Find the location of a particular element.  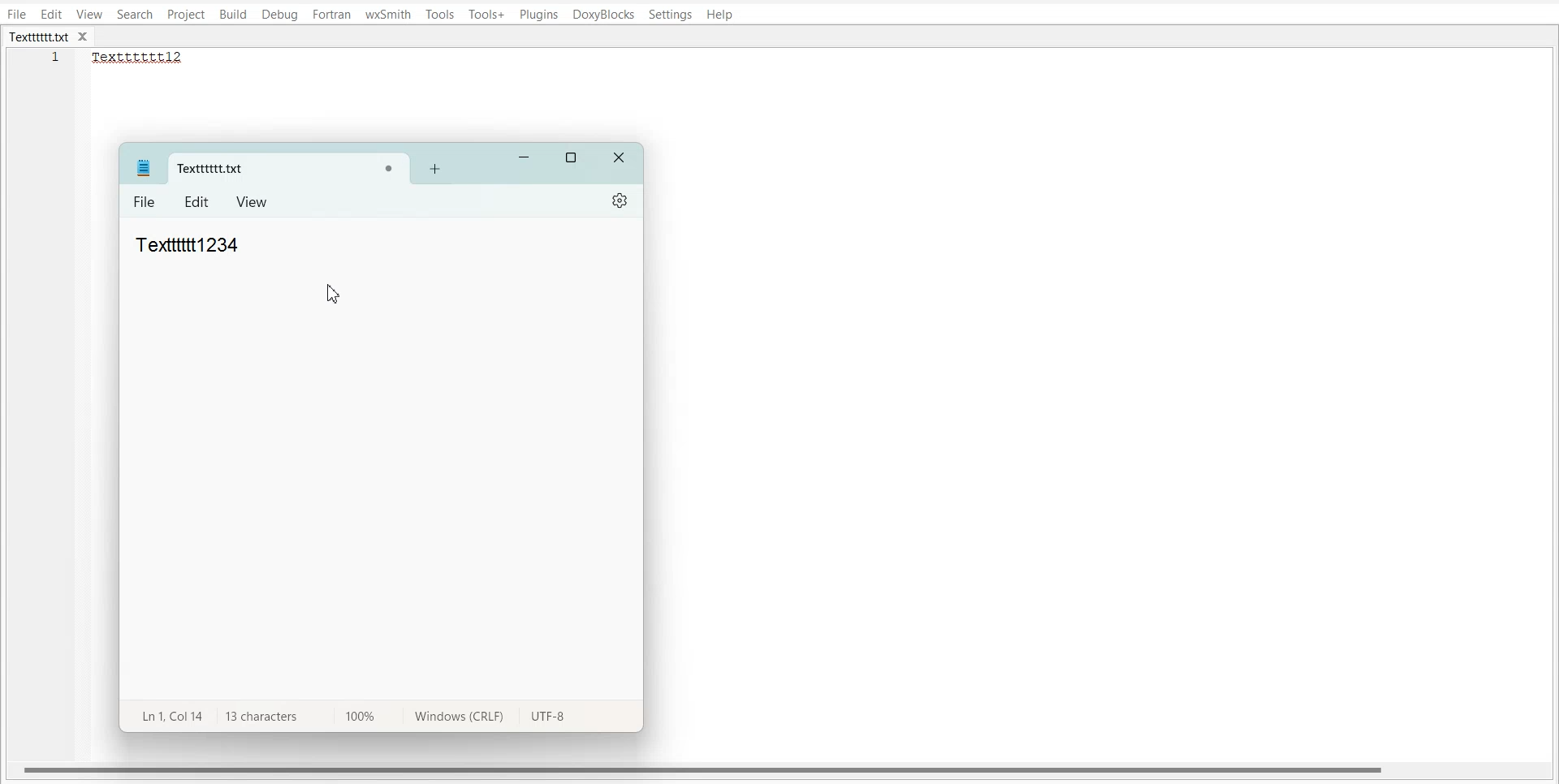

Cursor is located at coordinates (335, 294).